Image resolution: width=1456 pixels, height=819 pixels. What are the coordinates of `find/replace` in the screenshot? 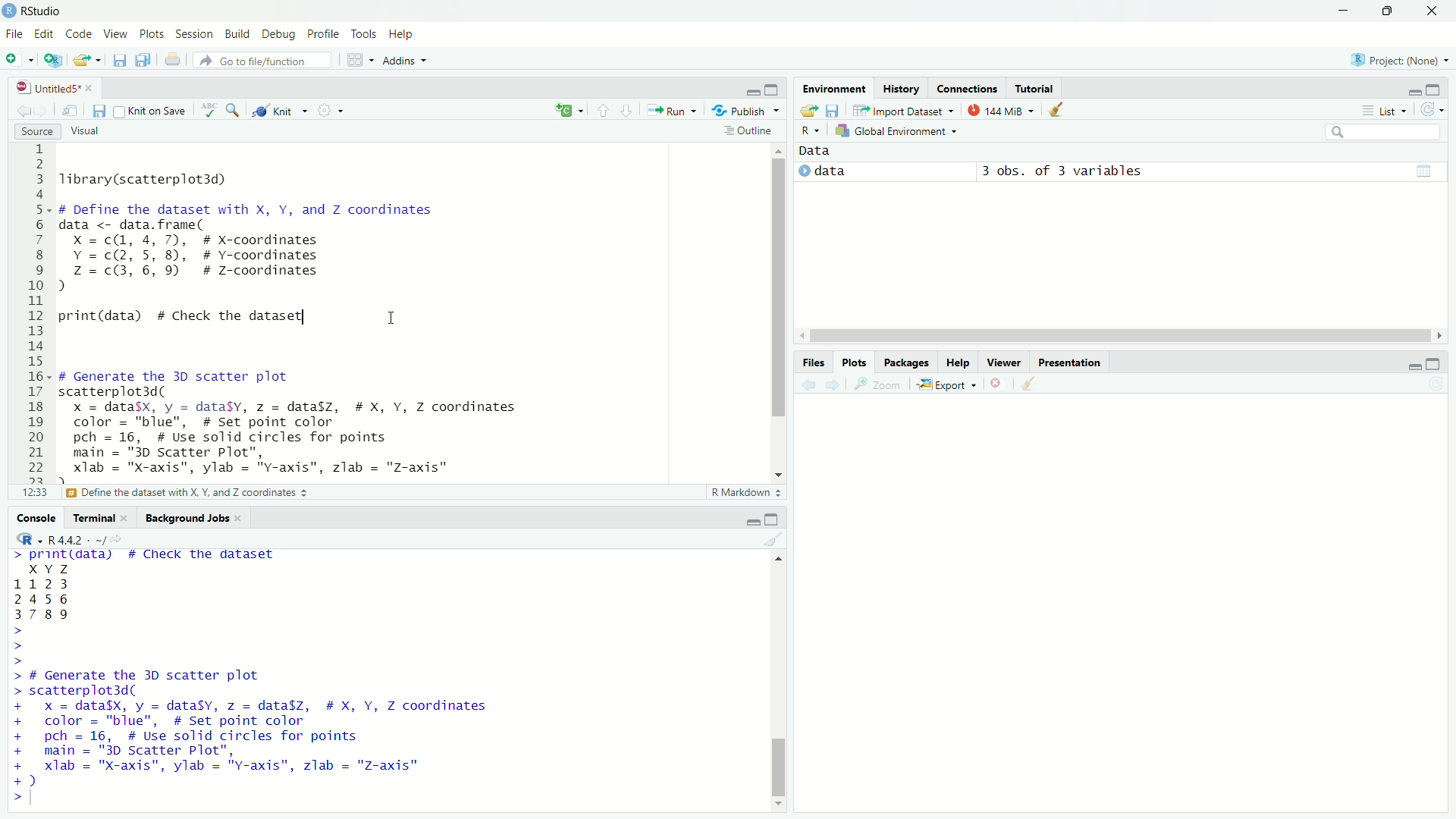 It's located at (234, 111).